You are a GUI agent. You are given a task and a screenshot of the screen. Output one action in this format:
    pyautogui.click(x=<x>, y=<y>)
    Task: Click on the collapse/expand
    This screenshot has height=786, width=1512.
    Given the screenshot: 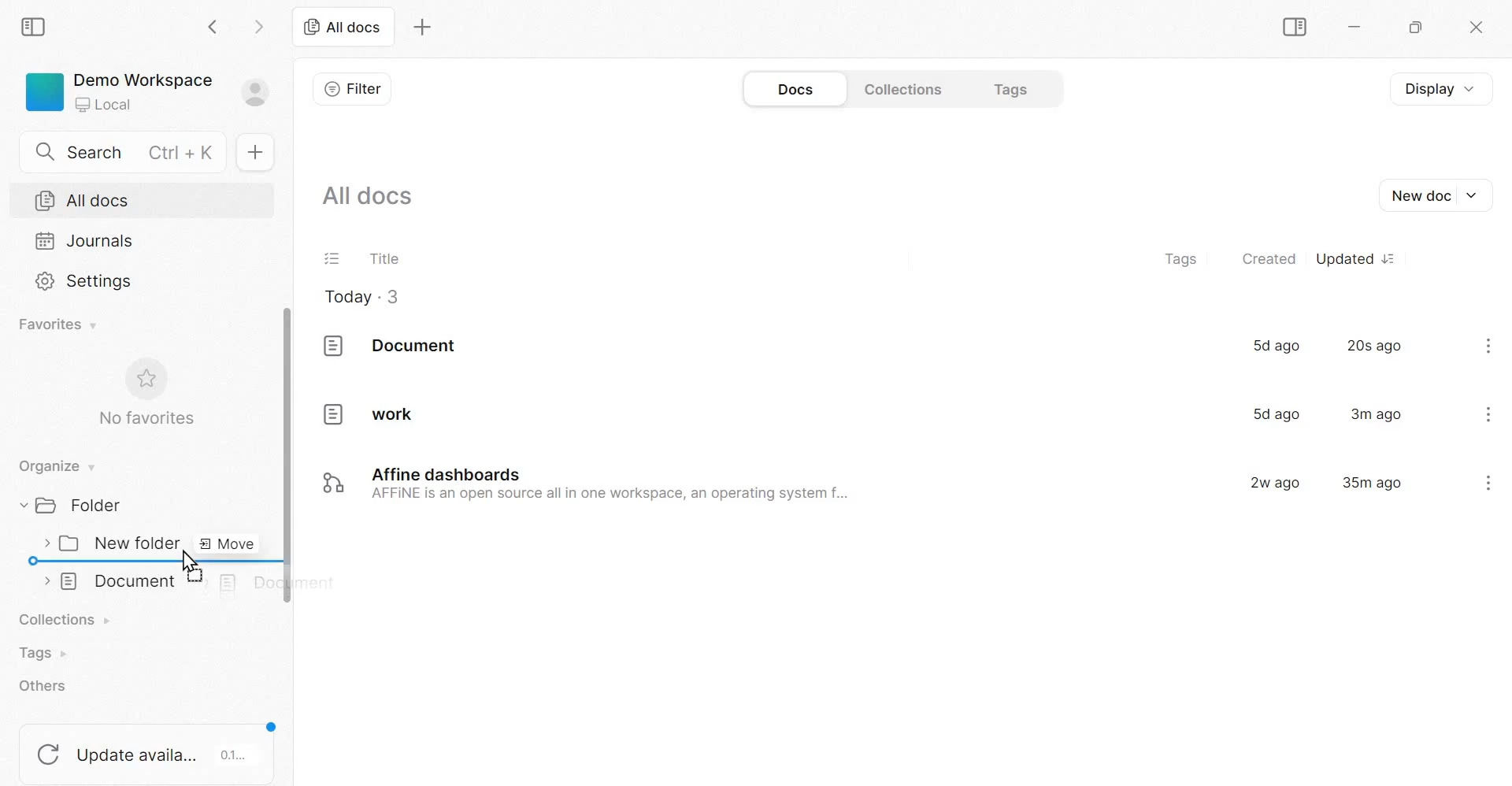 What is the action you would take?
    pyautogui.click(x=46, y=580)
    